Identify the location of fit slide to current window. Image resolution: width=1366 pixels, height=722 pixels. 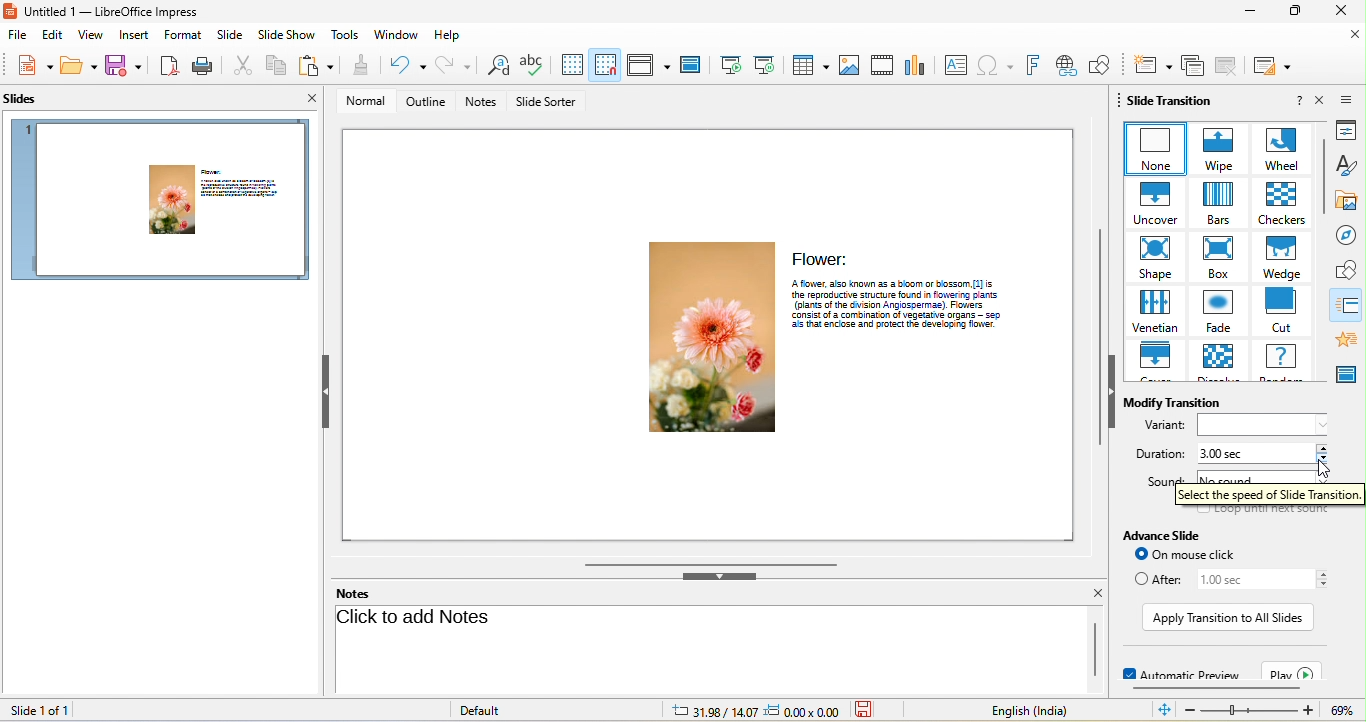
(1162, 710).